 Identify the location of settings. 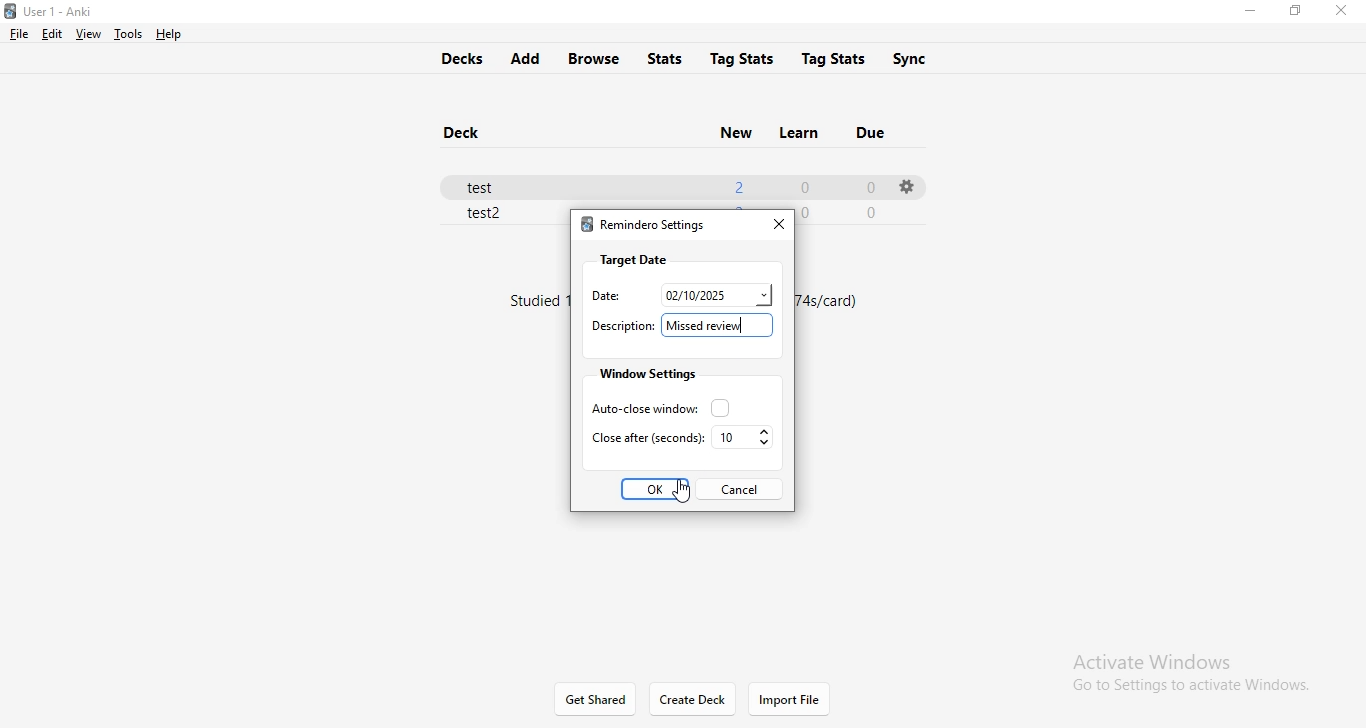
(905, 186).